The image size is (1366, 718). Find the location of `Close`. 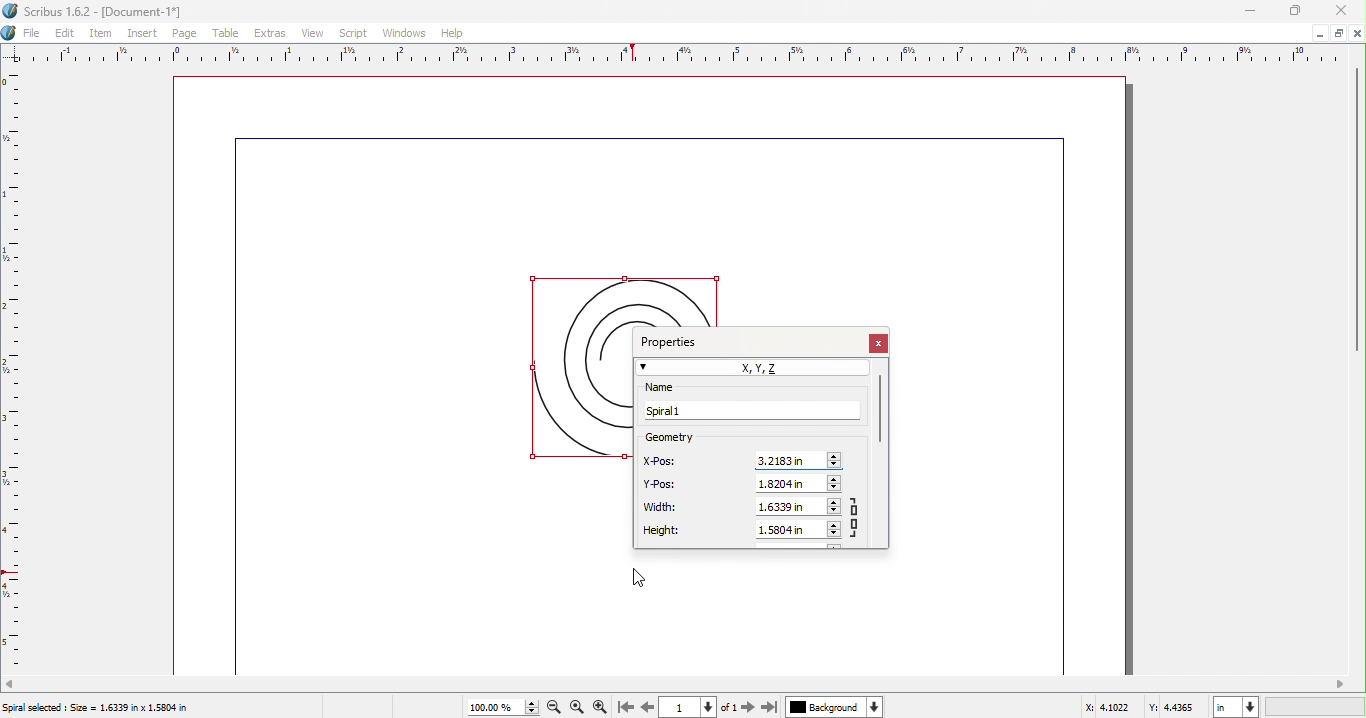

Close is located at coordinates (1342, 11).